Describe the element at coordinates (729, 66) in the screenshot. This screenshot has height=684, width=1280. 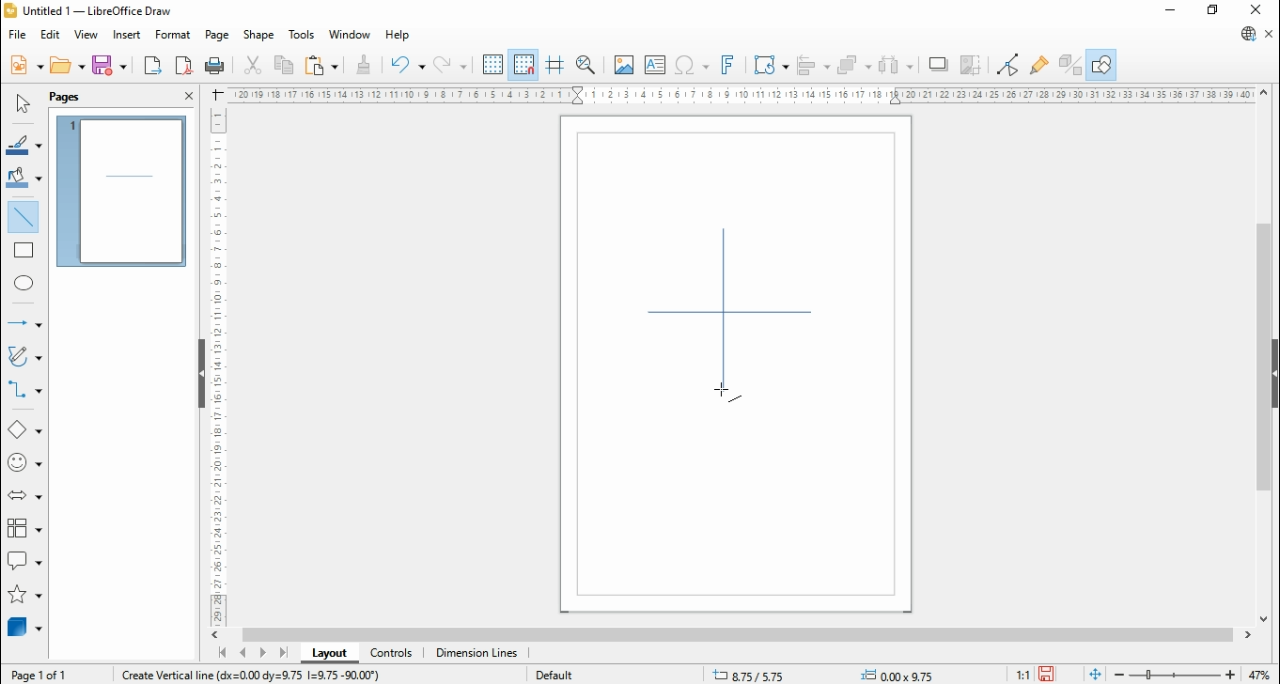
I see `insert fontwork text` at that location.